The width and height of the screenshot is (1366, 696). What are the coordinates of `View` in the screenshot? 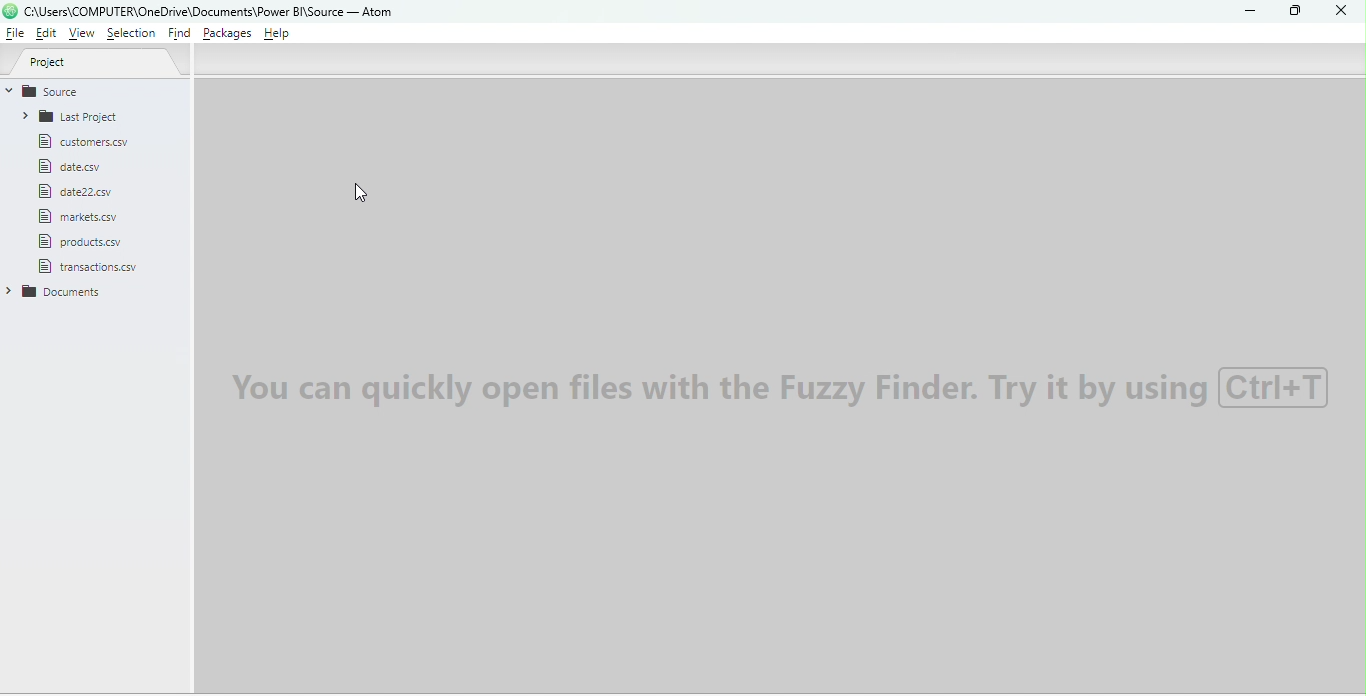 It's located at (83, 34).